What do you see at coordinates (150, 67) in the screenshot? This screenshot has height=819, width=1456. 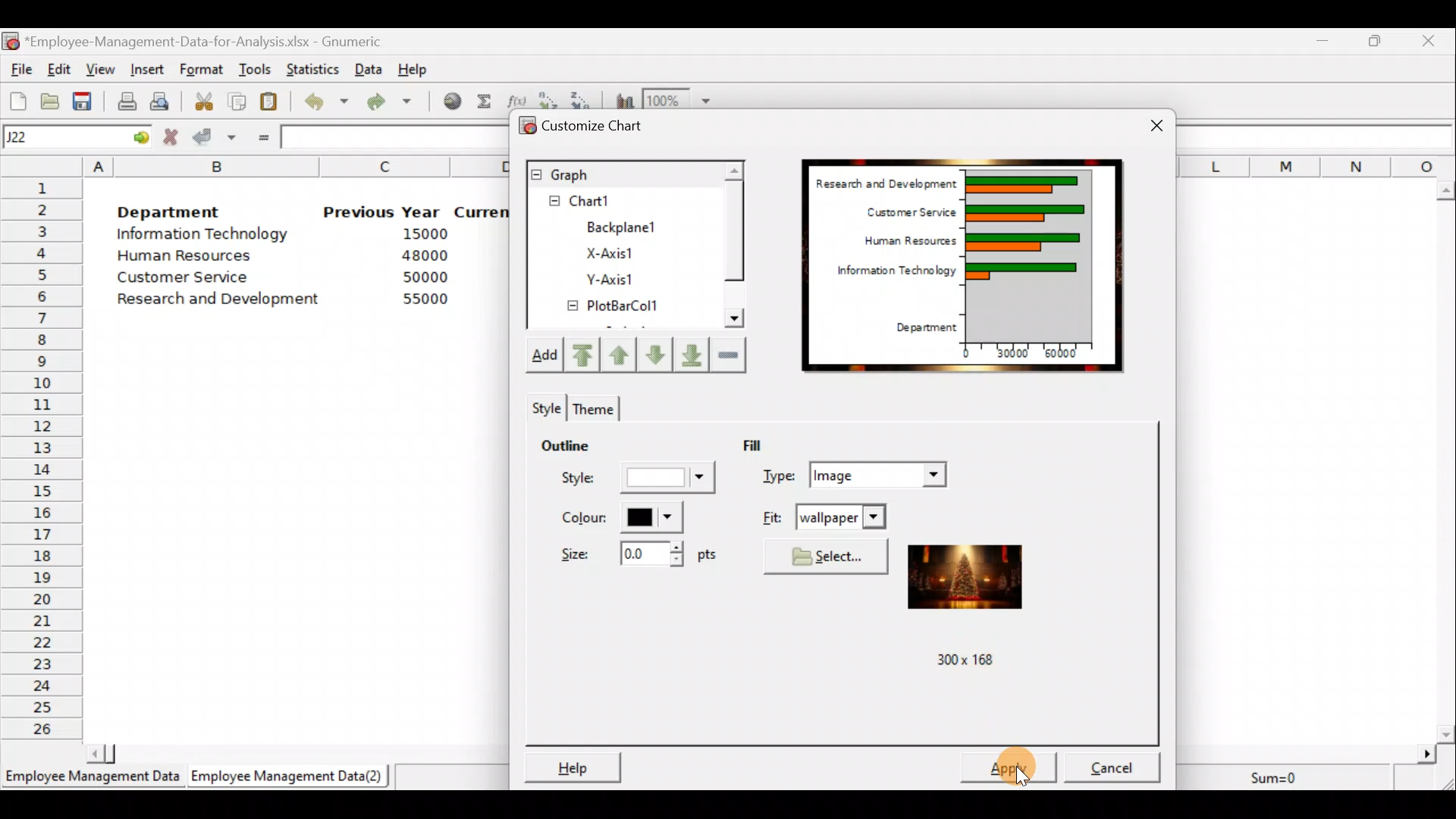 I see `Insert` at bounding box center [150, 67].